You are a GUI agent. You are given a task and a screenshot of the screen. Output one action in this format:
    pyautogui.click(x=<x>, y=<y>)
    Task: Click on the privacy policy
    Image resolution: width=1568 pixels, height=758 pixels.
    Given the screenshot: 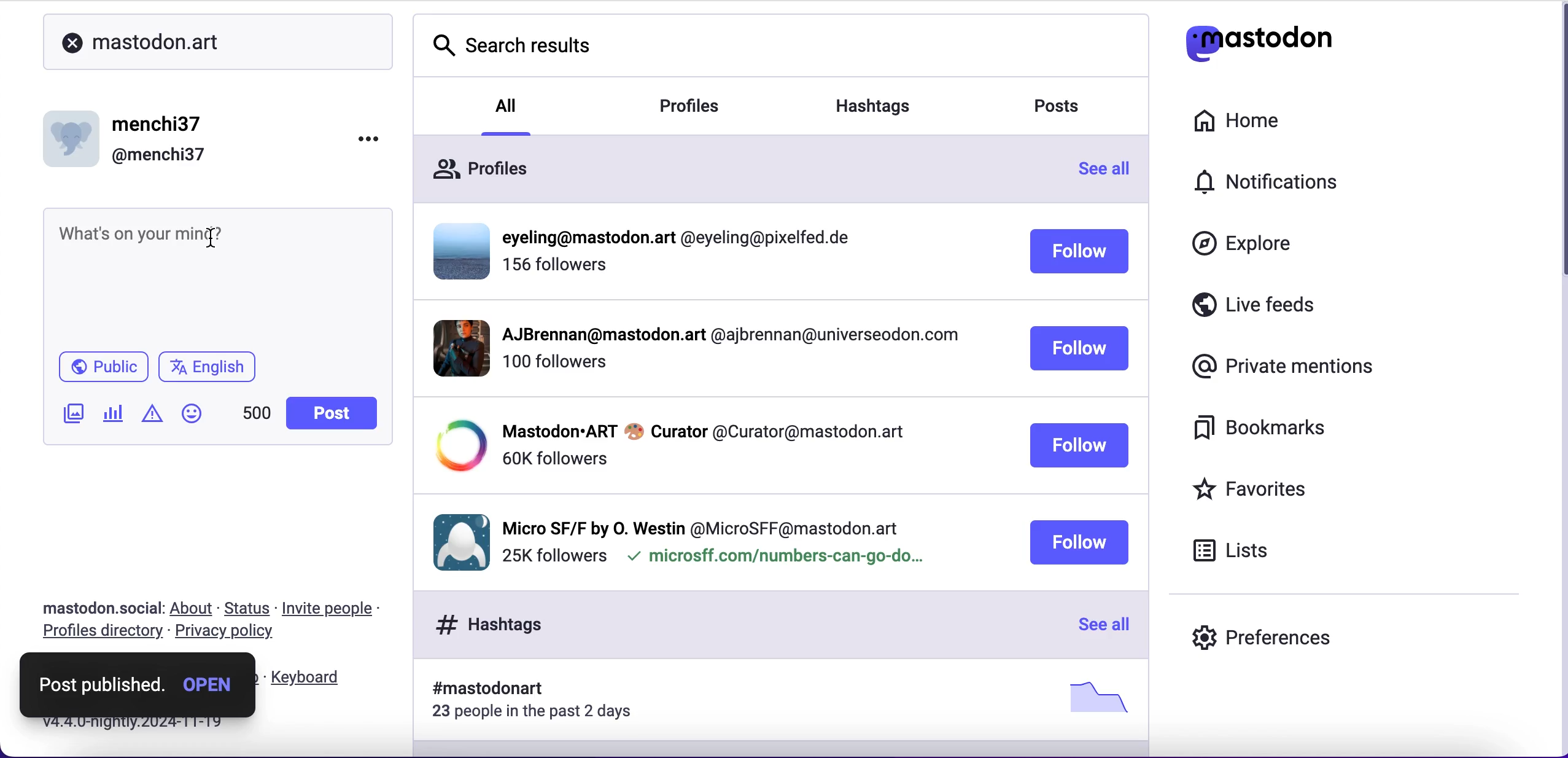 What is the action you would take?
    pyautogui.click(x=230, y=634)
    